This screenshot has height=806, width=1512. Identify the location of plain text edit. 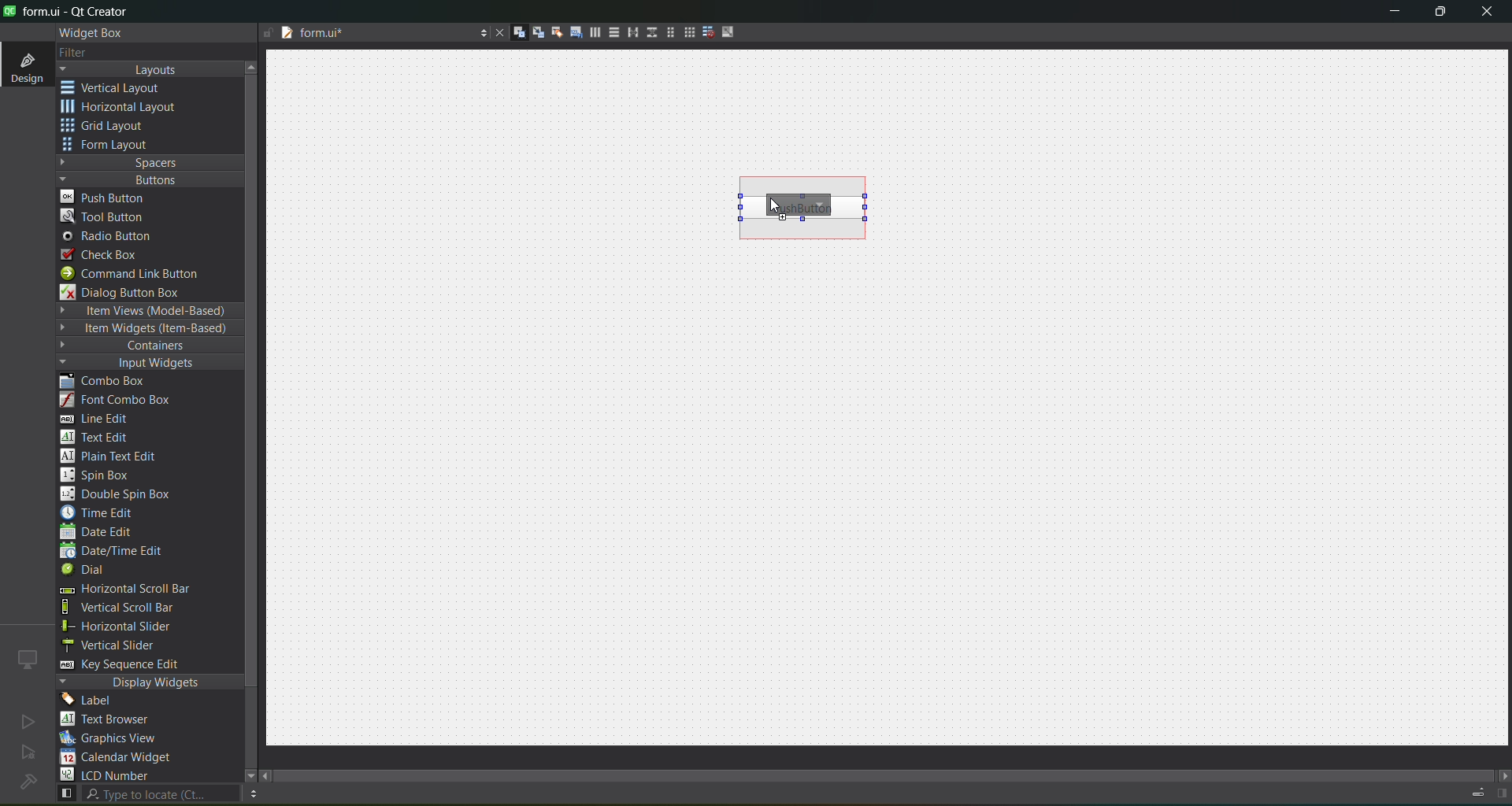
(115, 457).